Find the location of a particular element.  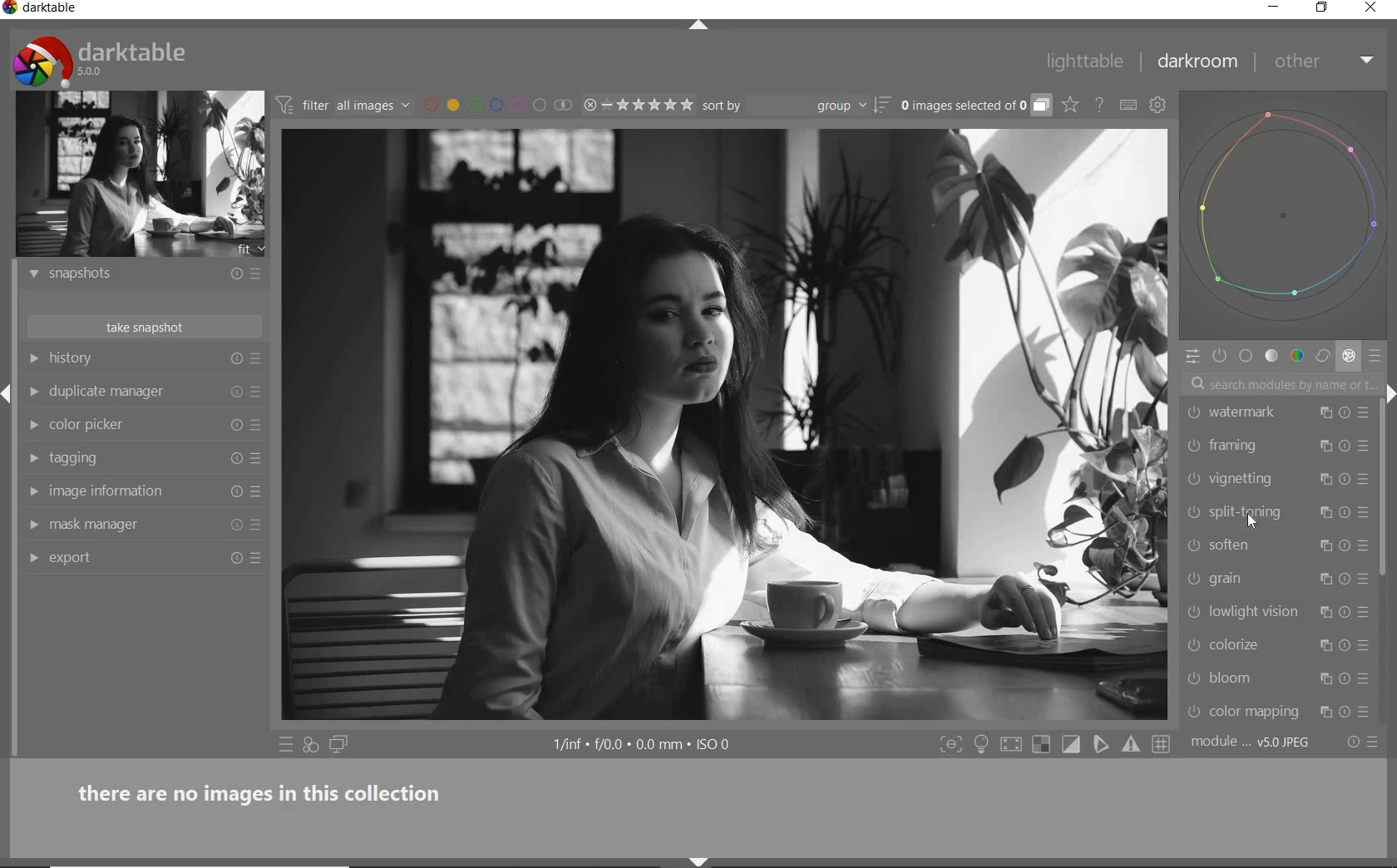

take snapshot is located at coordinates (141, 327).